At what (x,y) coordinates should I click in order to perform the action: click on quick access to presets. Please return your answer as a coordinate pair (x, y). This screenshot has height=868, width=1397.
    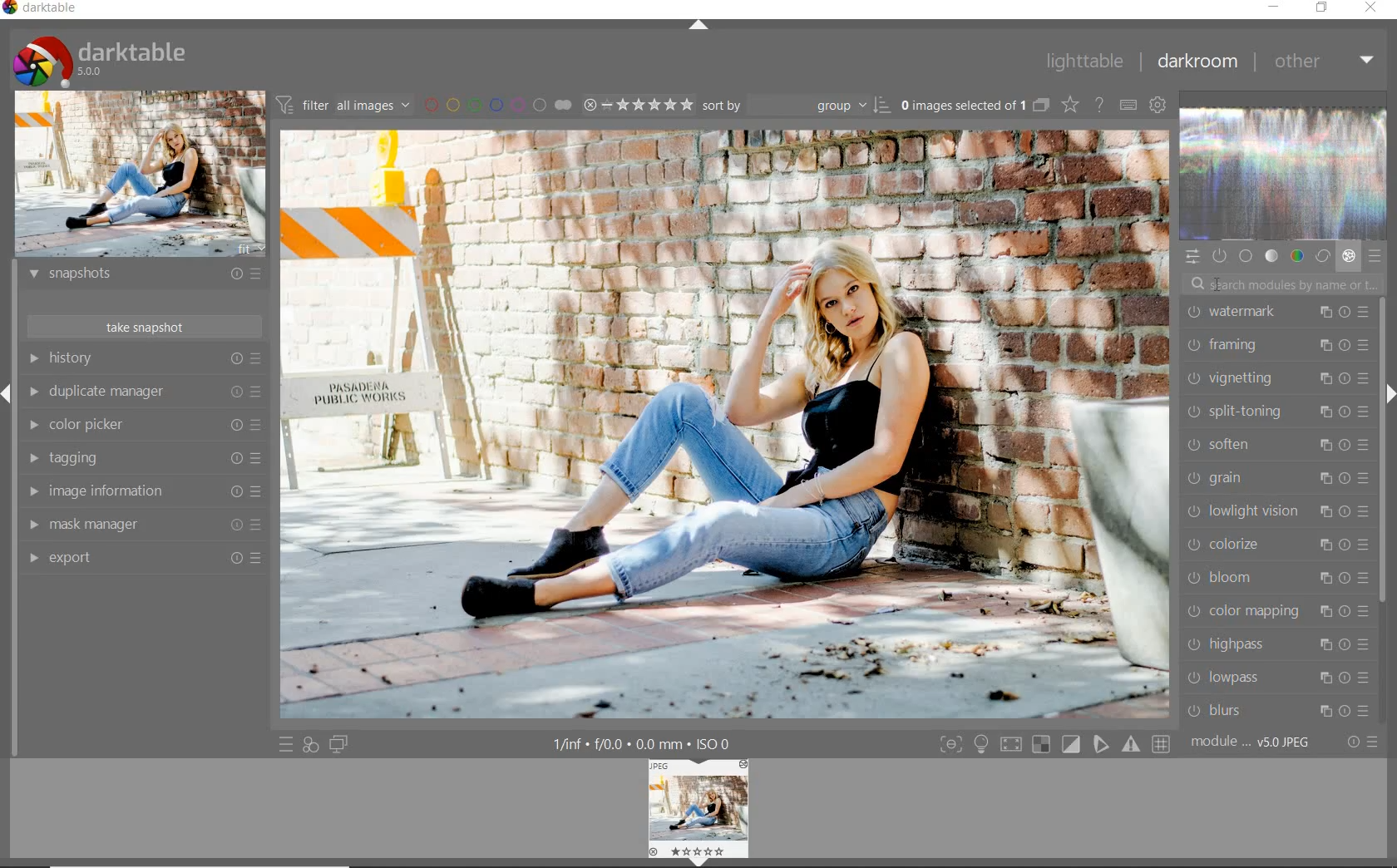
    Looking at the image, I should click on (286, 744).